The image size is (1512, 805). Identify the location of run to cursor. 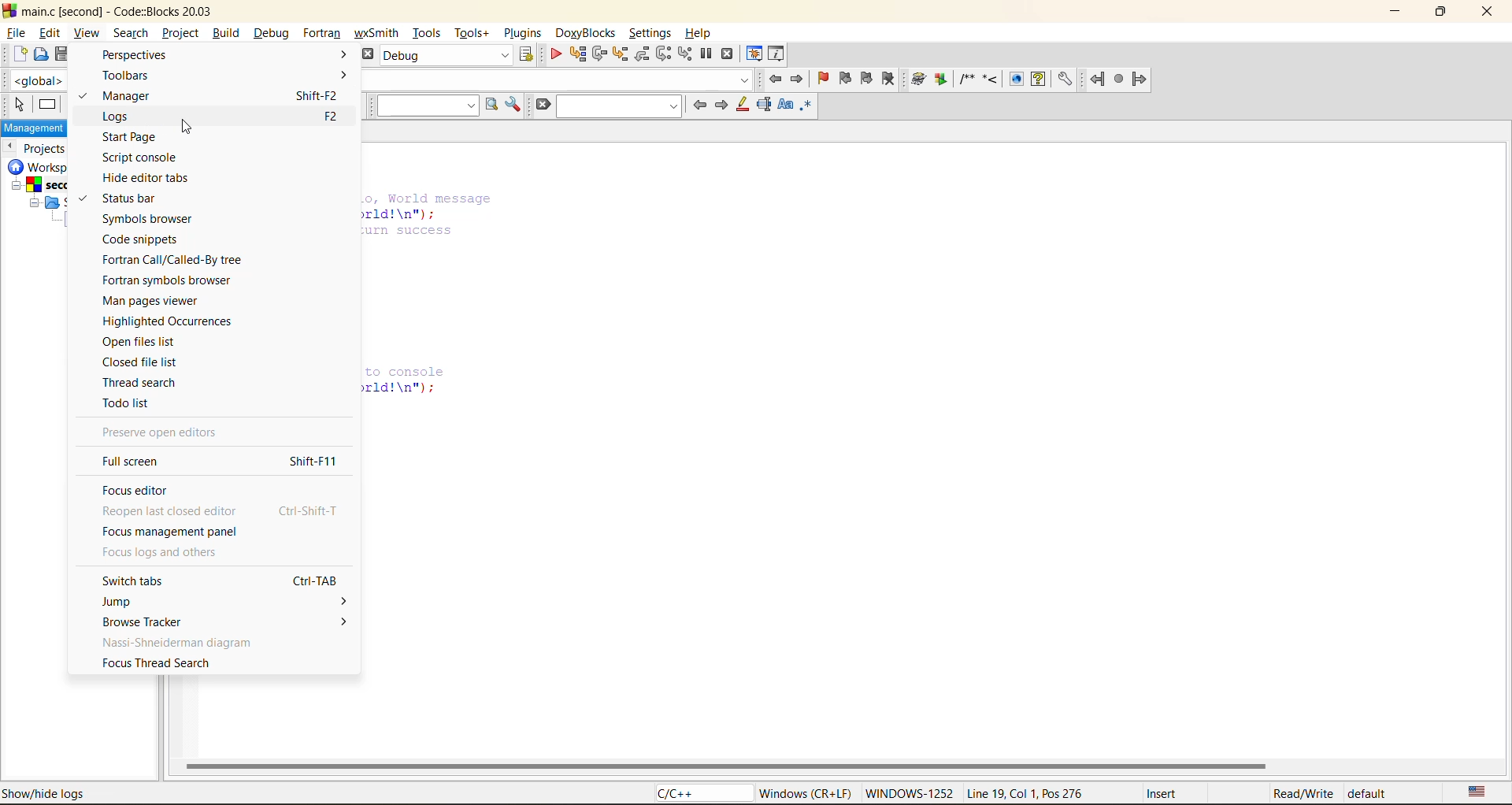
(576, 53).